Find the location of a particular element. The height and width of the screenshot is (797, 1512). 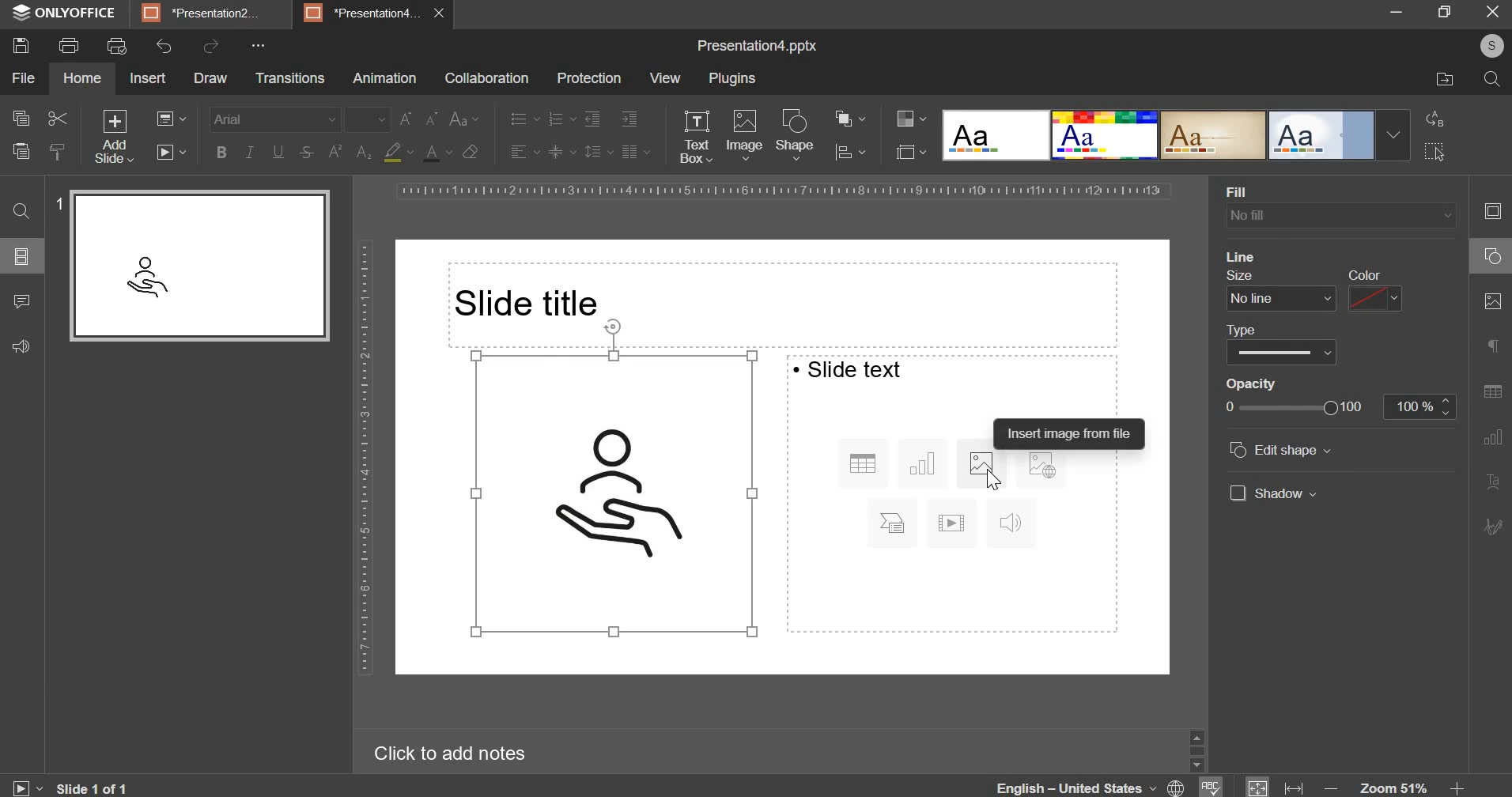

Drop-down  is located at coordinates (1393, 135).